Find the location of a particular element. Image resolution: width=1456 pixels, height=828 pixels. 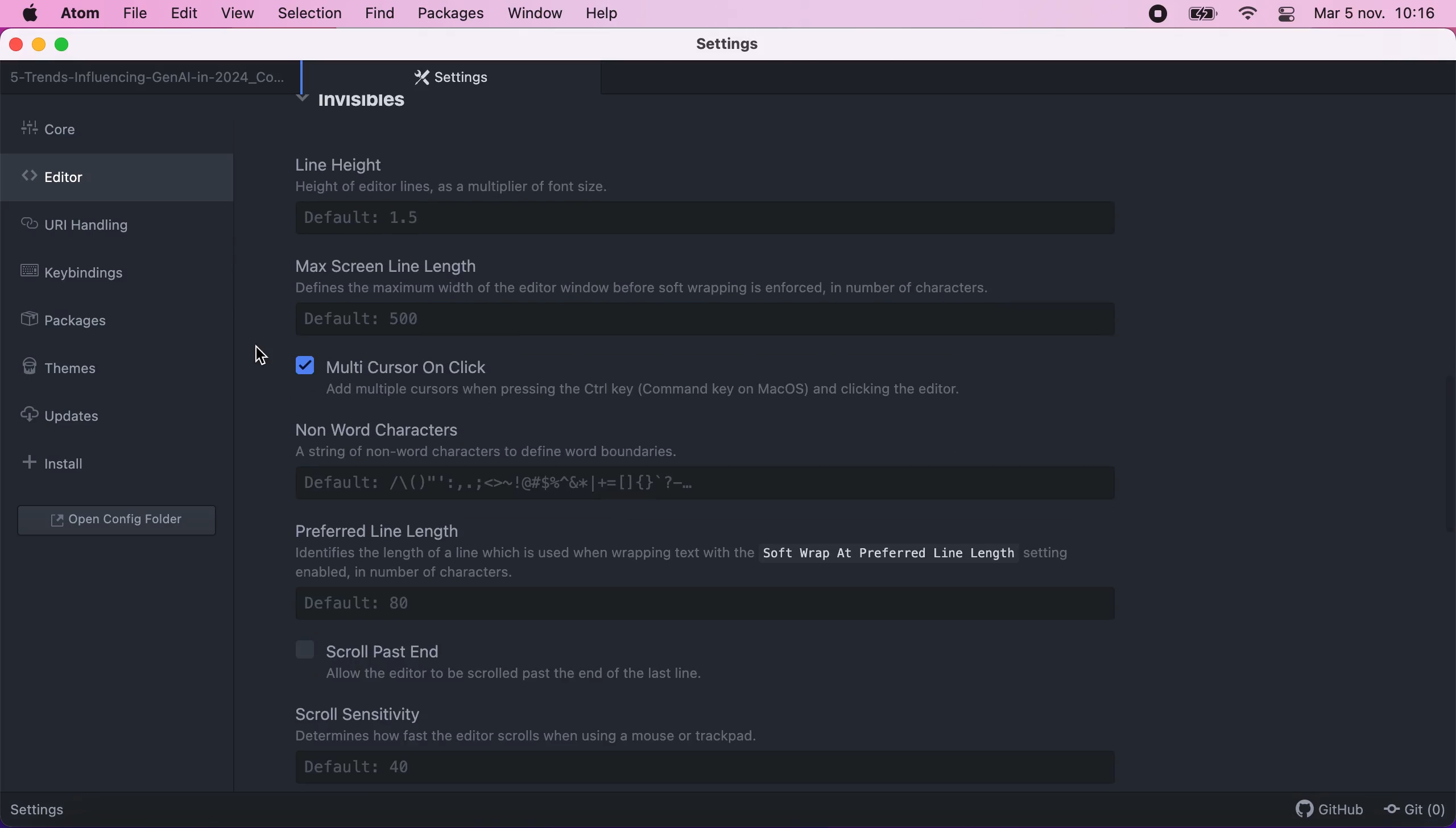

packages is located at coordinates (449, 14).